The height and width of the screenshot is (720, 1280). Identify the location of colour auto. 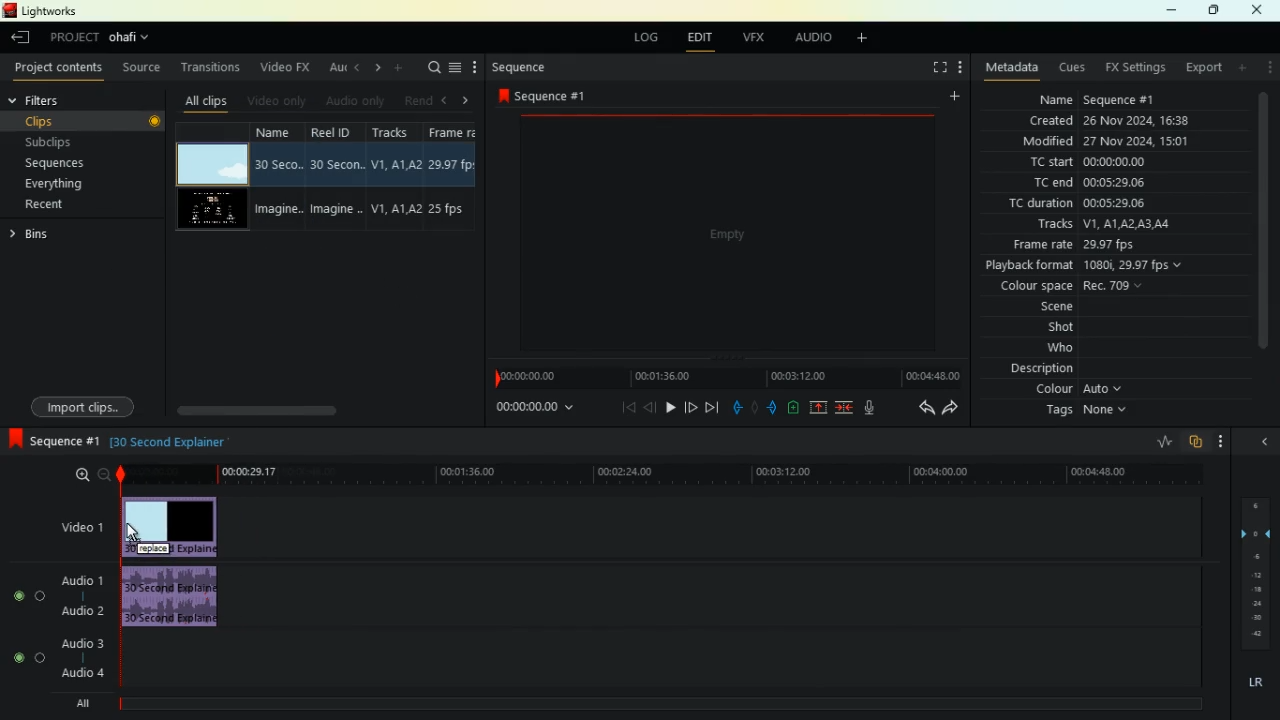
(1079, 390).